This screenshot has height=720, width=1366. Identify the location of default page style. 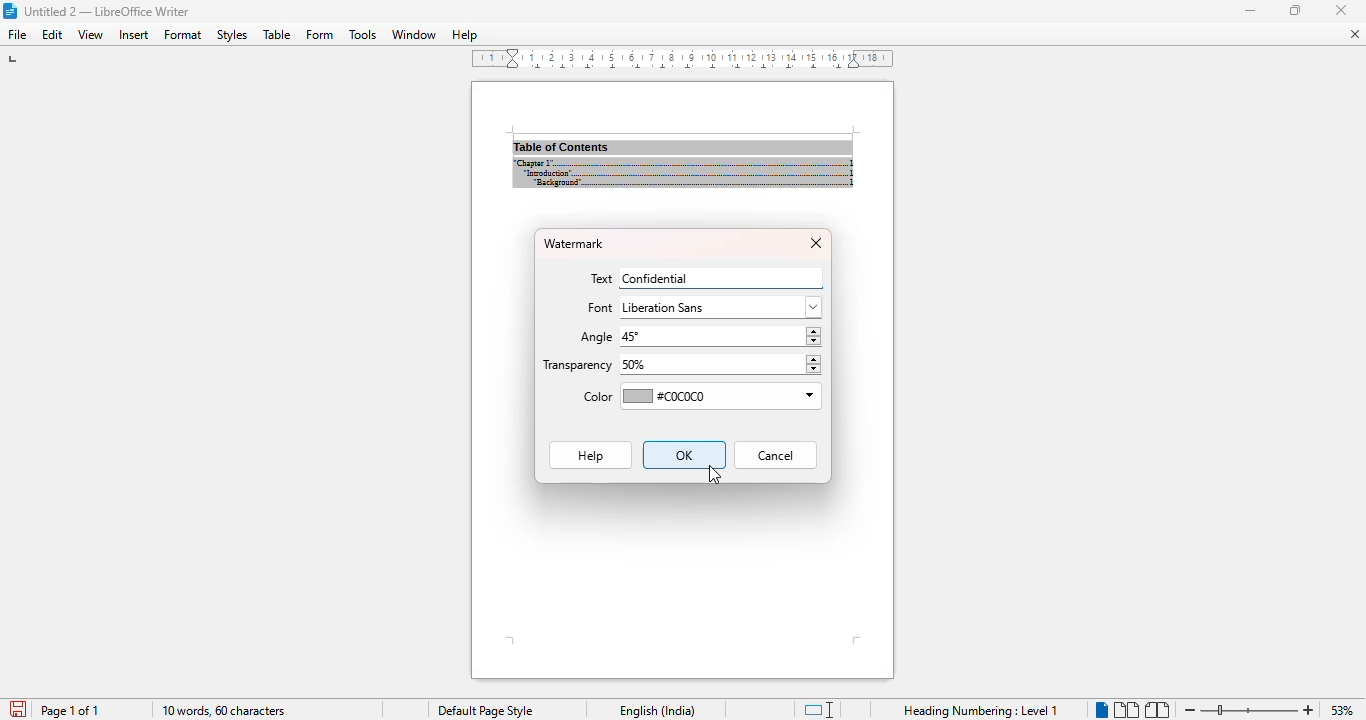
(488, 710).